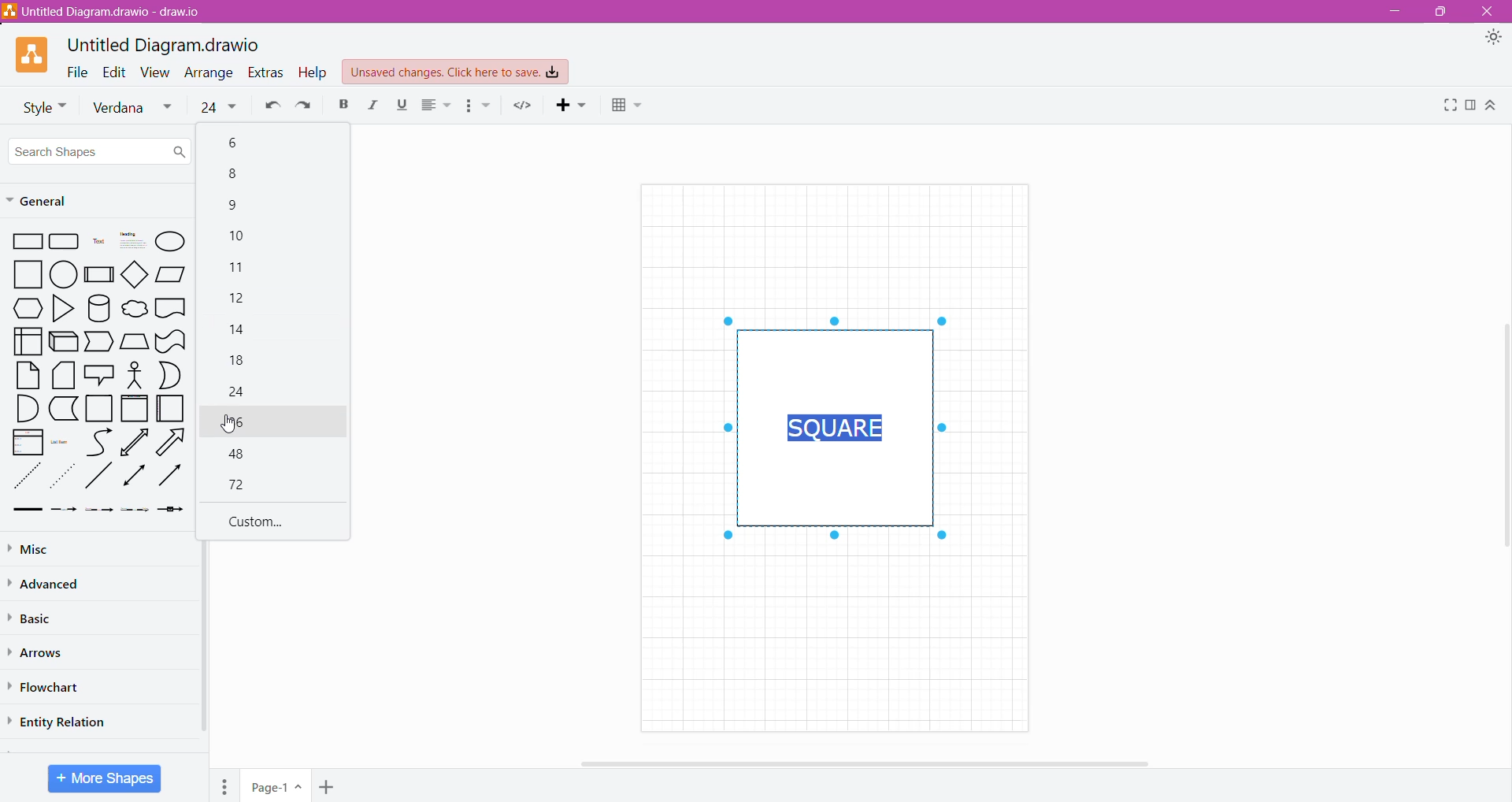  What do you see at coordinates (33, 55) in the screenshot?
I see `Application Logo` at bounding box center [33, 55].